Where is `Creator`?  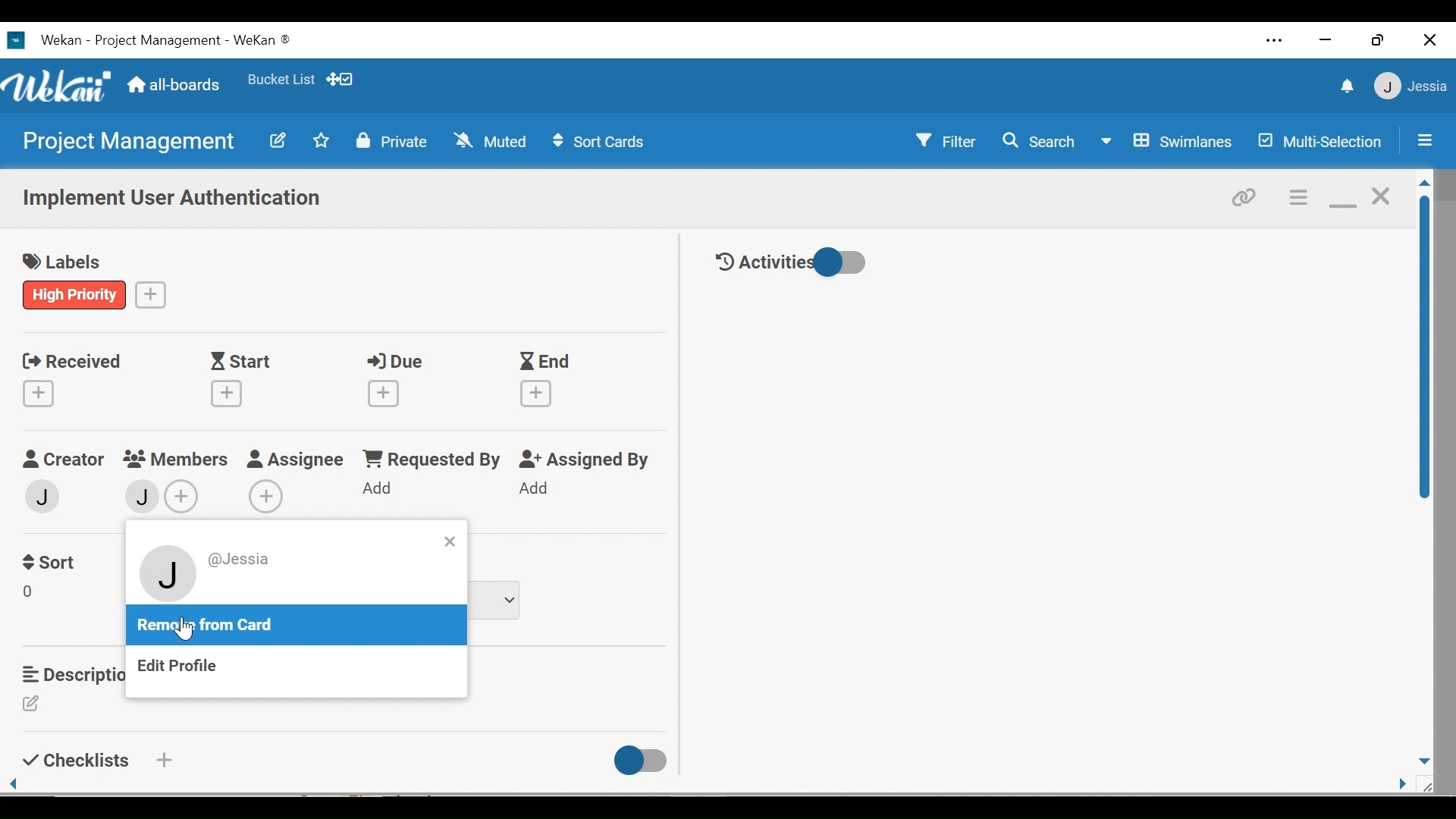
Creator is located at coordinates (62, 460).